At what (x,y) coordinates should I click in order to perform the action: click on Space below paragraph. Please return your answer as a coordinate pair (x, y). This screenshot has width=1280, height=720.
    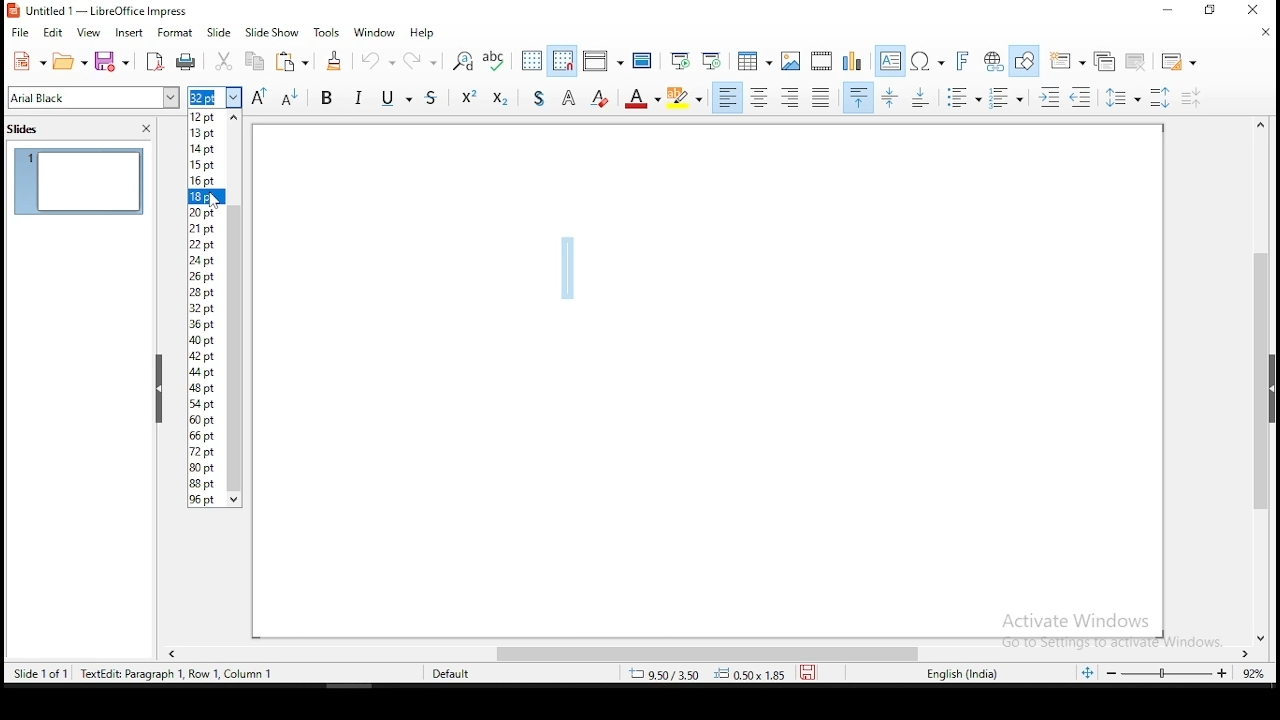
    Looking at the image, I should click on (859, 97).